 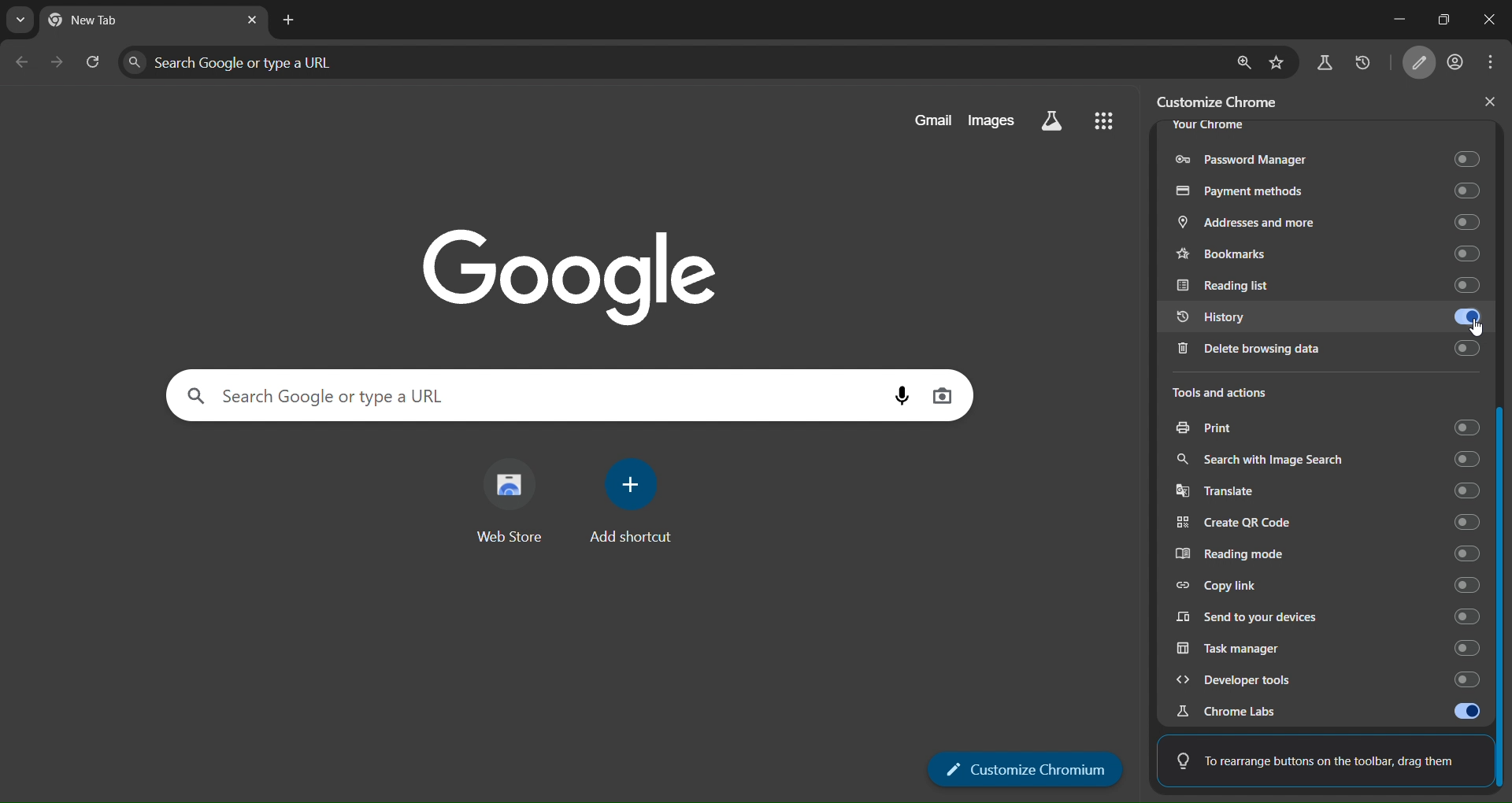 I want to click on close, so click(x=1490, y=102).